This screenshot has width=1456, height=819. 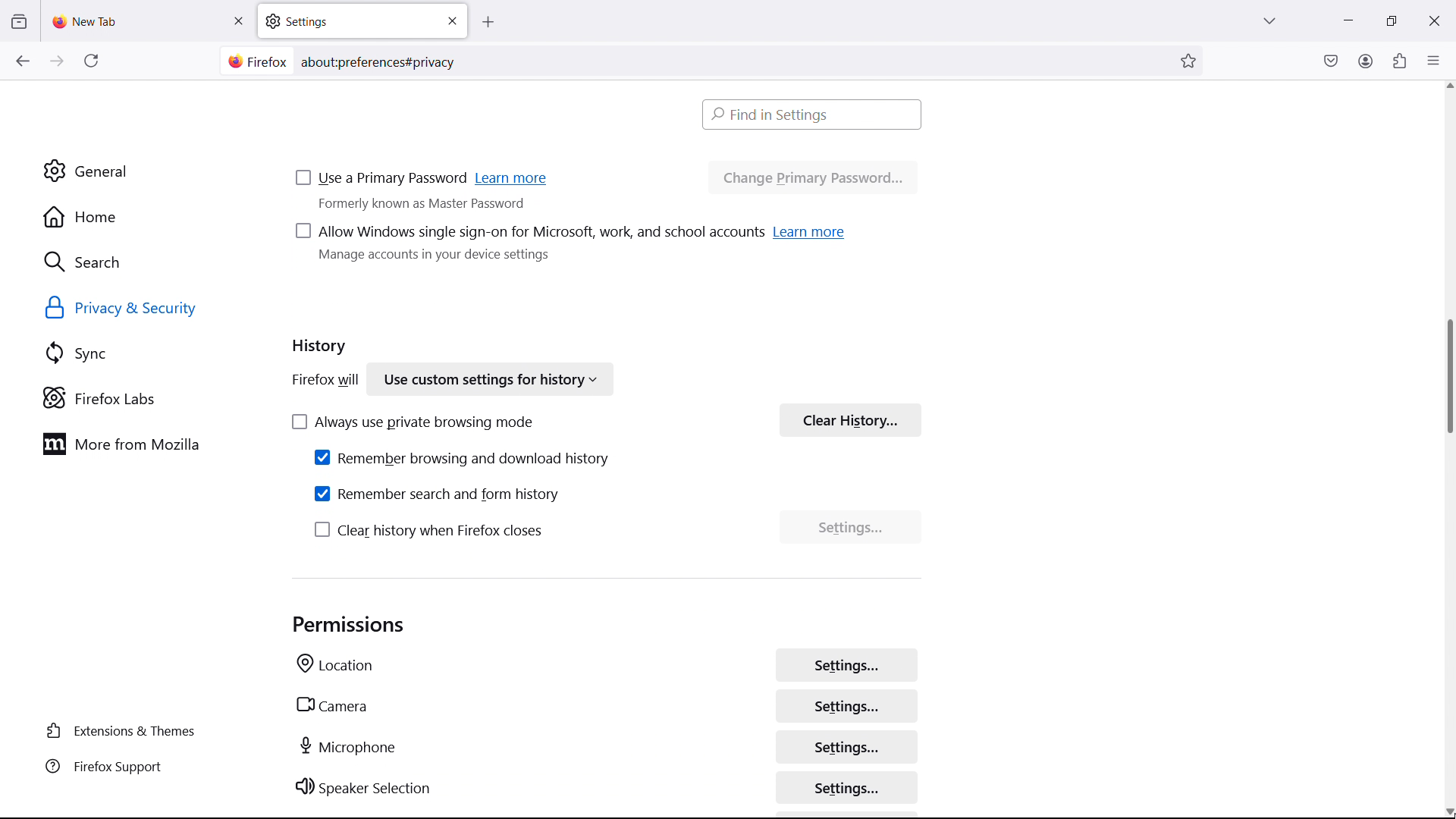 What do you see at coordinates (488, 379) in the screenshot?
I see `select history option for firefox` at bounding box center [488, 379].